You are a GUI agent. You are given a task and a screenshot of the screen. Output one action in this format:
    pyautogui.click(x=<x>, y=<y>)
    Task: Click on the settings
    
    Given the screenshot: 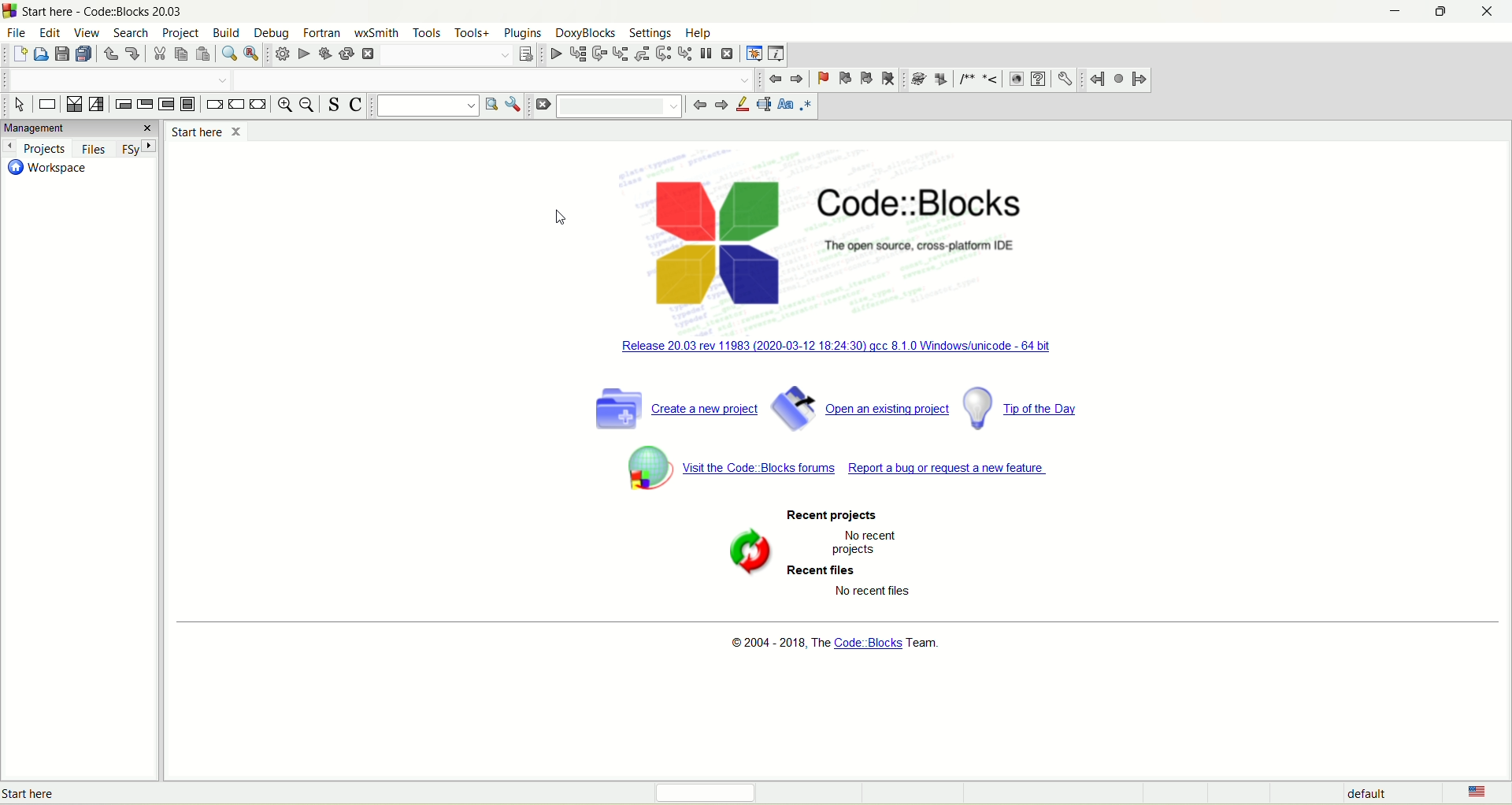 What is the action you would take?
    pyautogui.click(x=1067, y=78)
    